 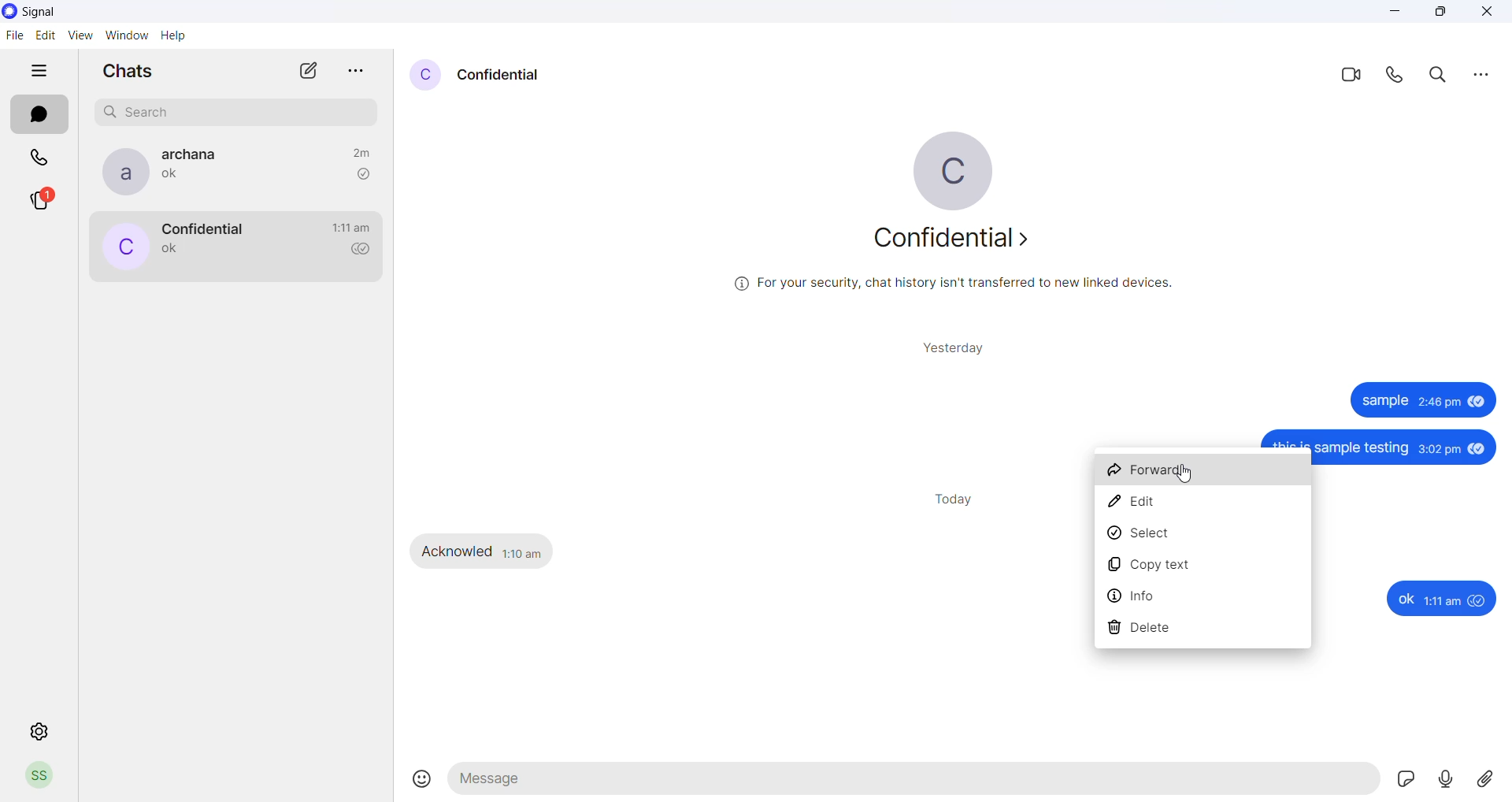 I want to click on seen, so click(x=1479, y=449).